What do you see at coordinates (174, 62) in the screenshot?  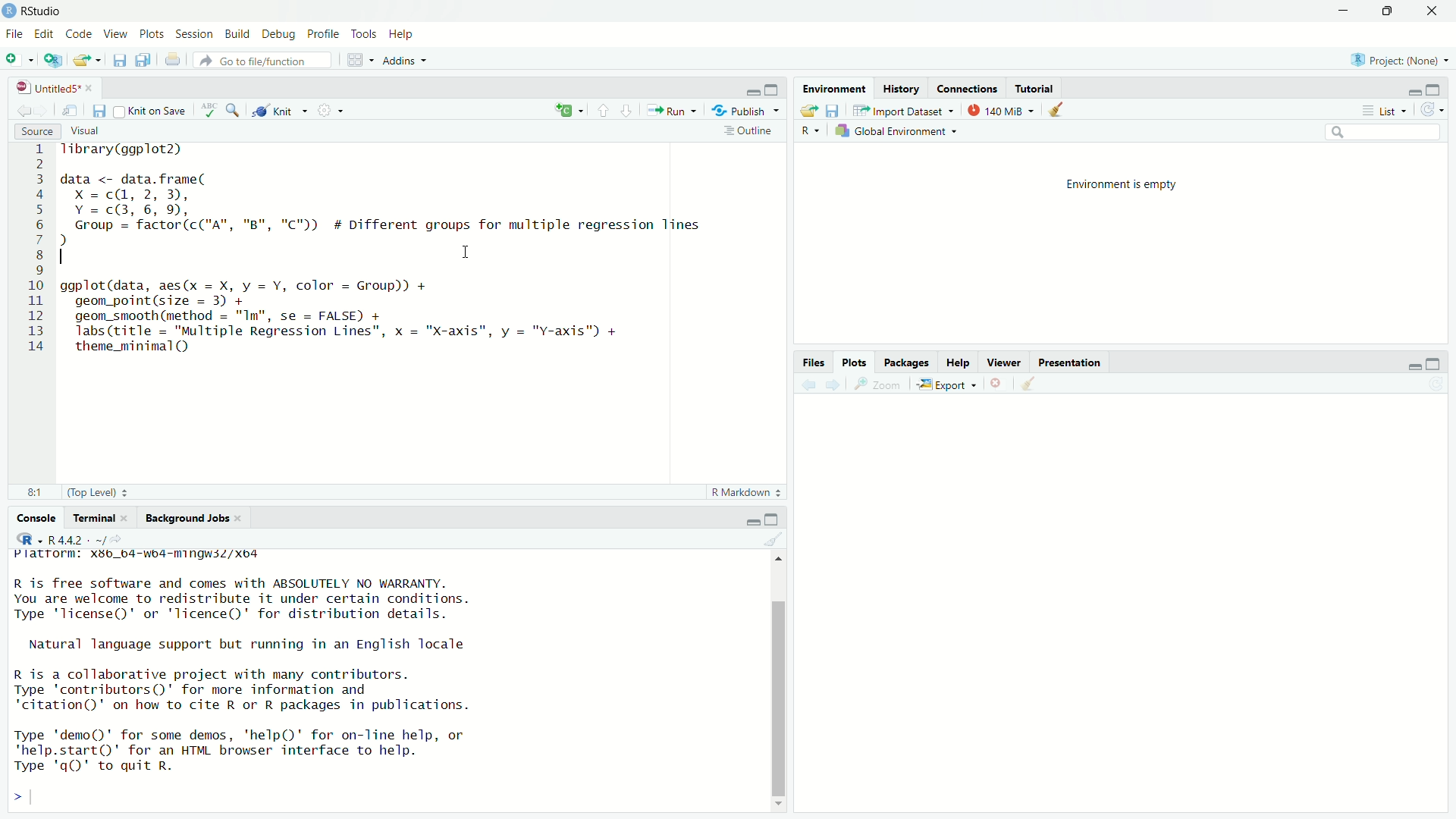 I see `print` at bounding box center [174, 62].